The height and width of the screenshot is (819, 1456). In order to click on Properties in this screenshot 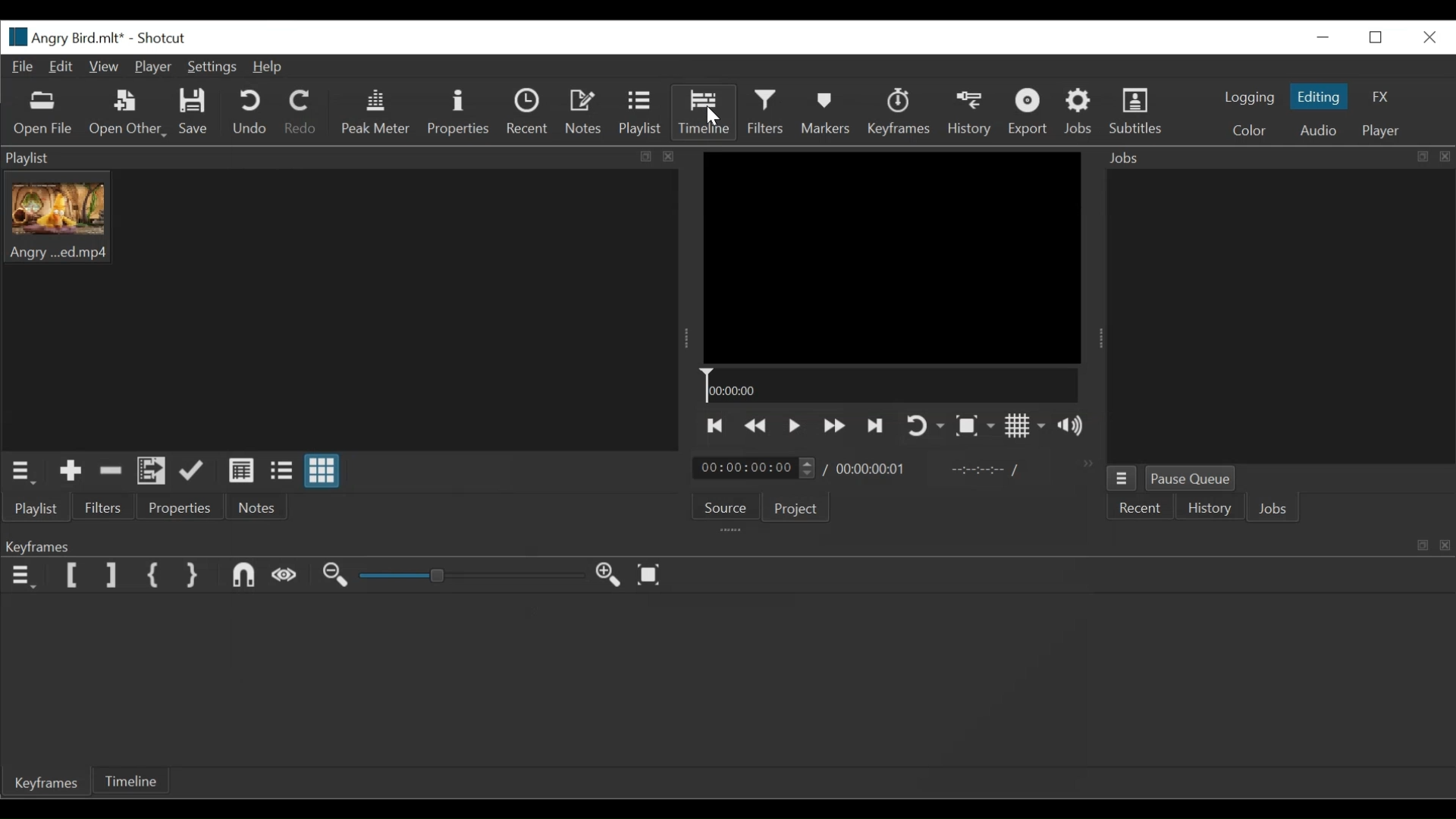, I will do `click(180, 507)`.